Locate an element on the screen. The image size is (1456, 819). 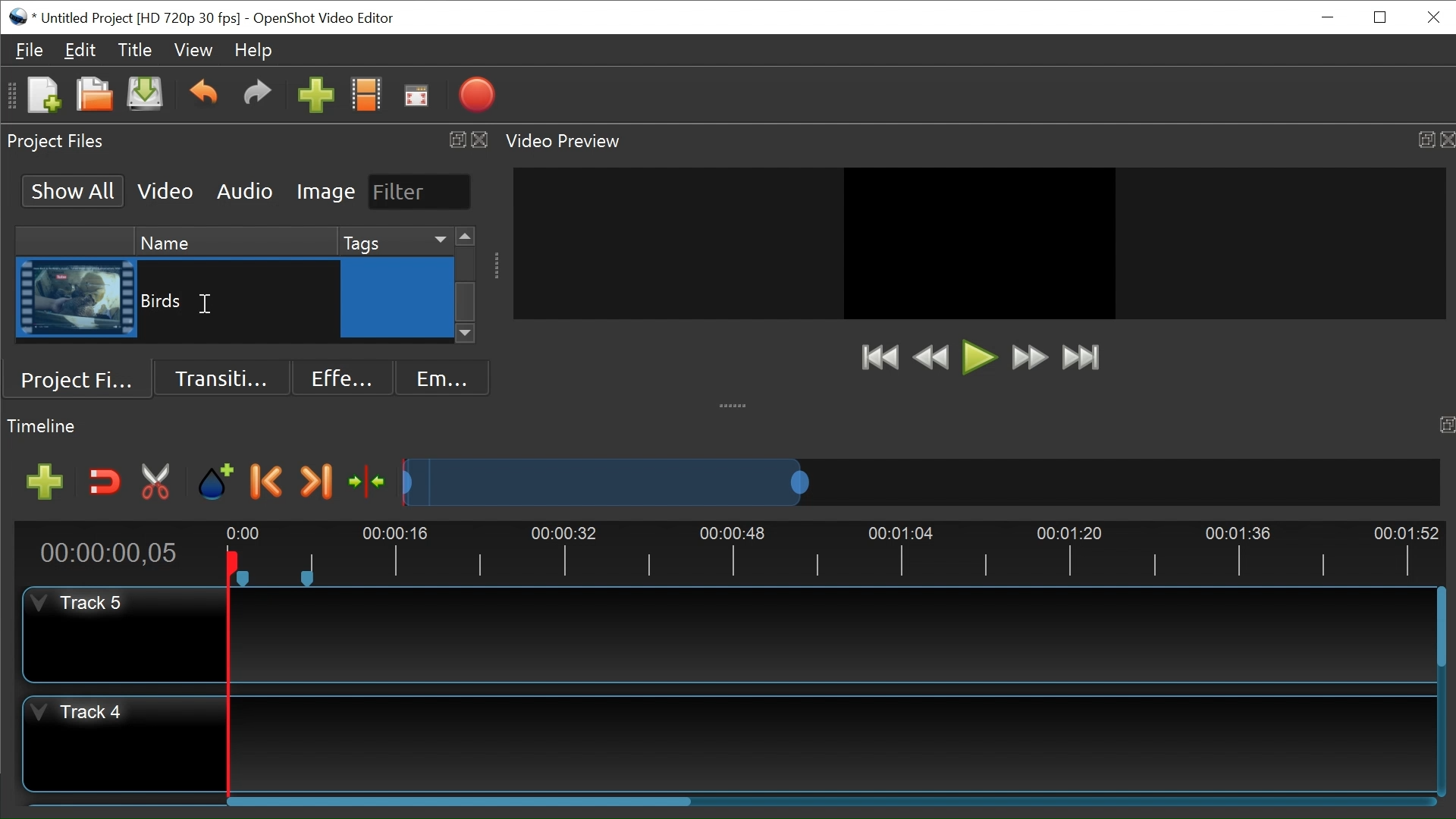
Edit is located at coordinates (81, 52).